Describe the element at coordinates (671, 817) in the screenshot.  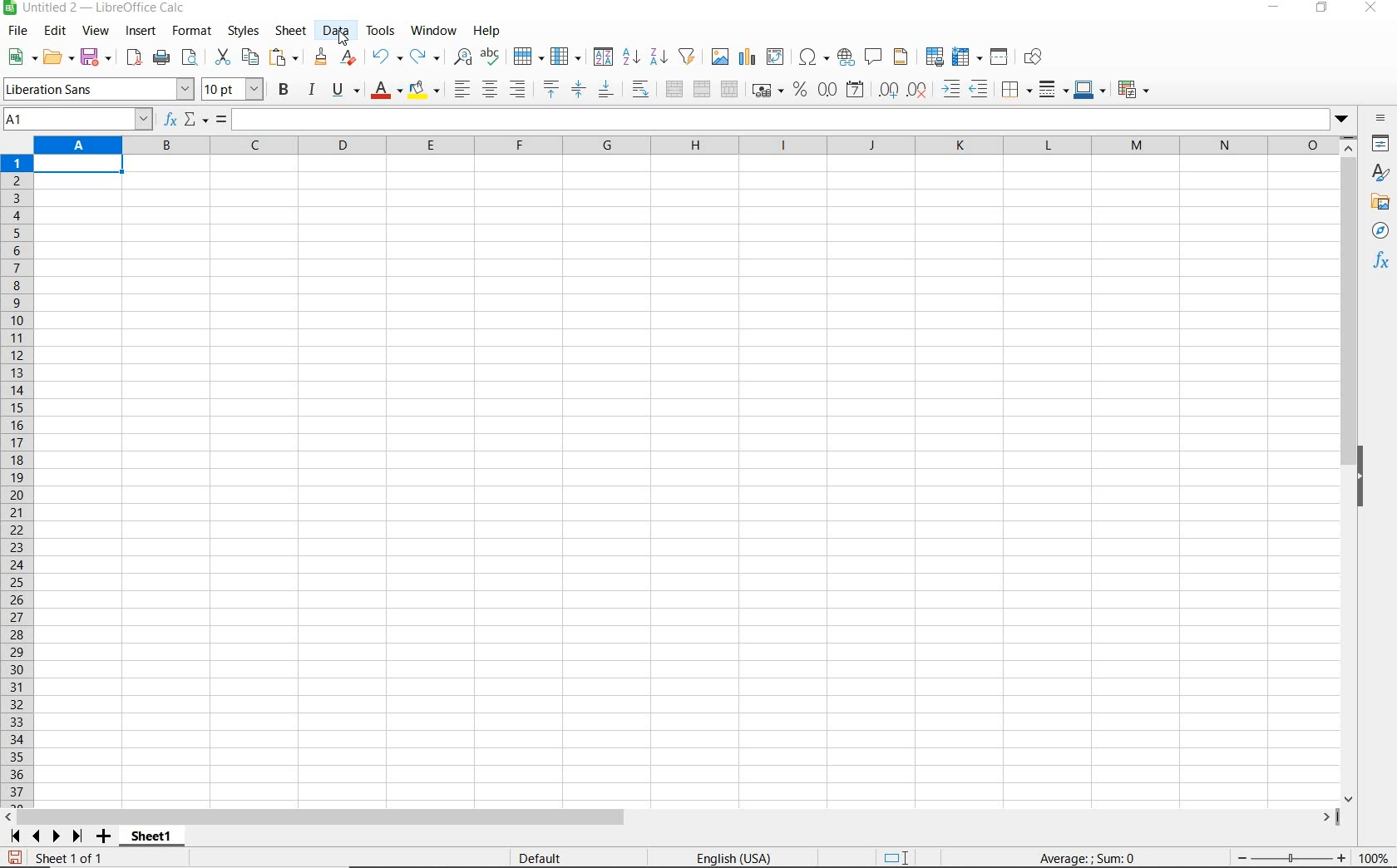
I see `scrollbar` at that location.